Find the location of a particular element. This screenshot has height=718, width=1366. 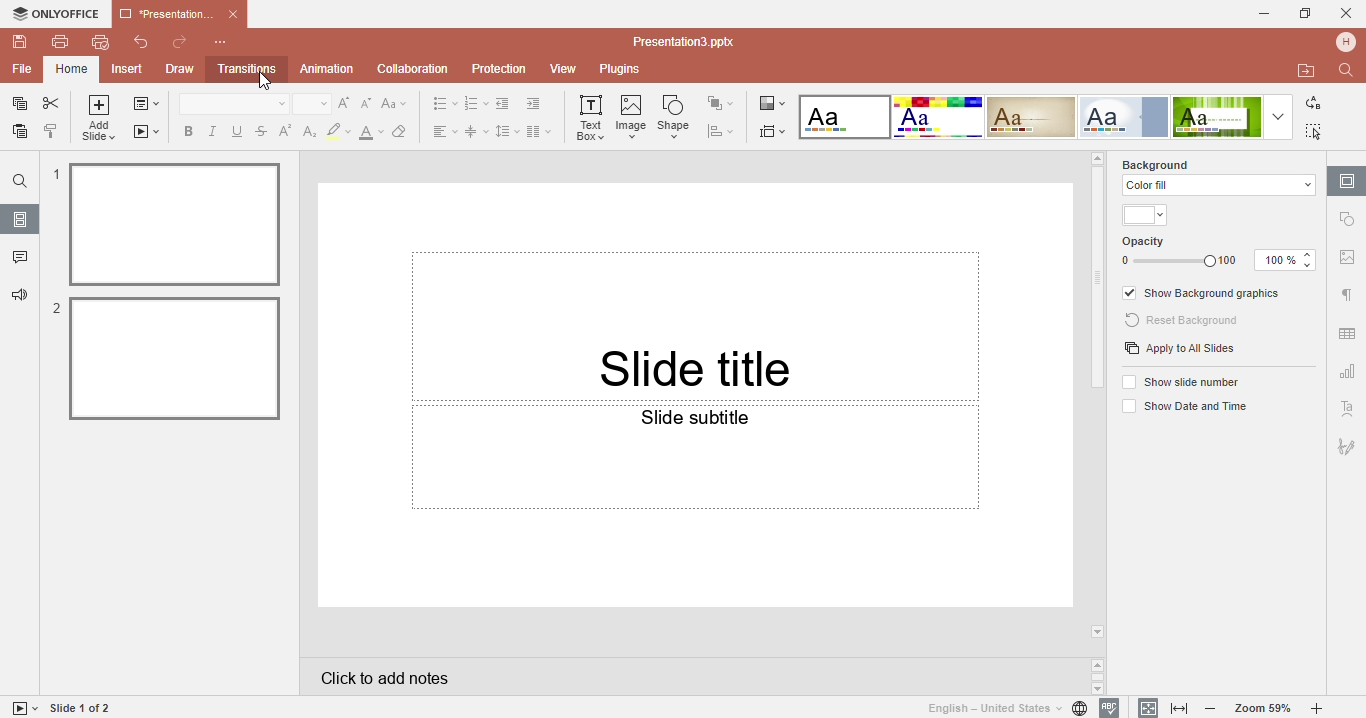

Select slide size is located at coordinates (774, 130).